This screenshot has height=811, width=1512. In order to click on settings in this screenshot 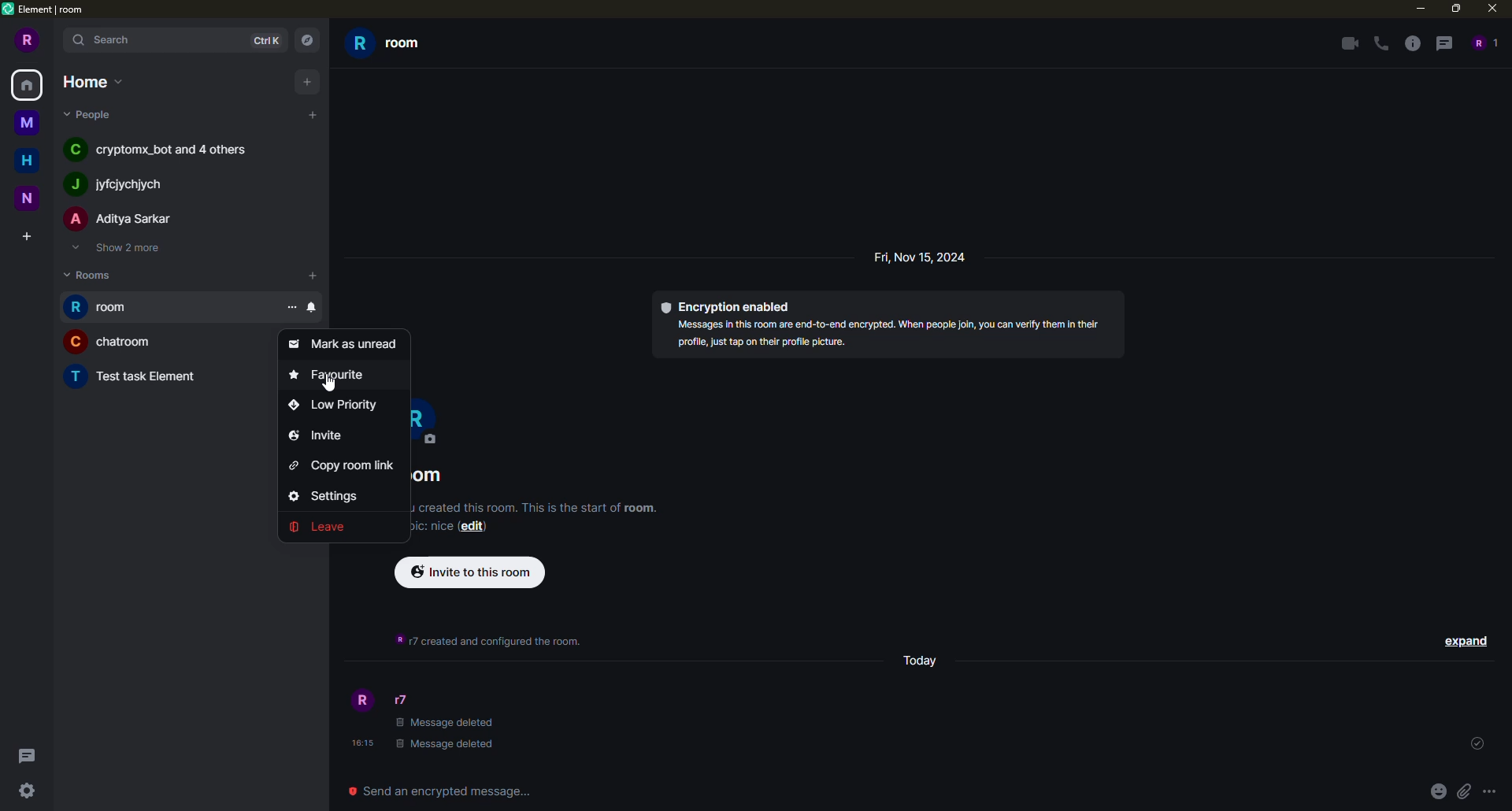, I will do `click(336, 496)`.